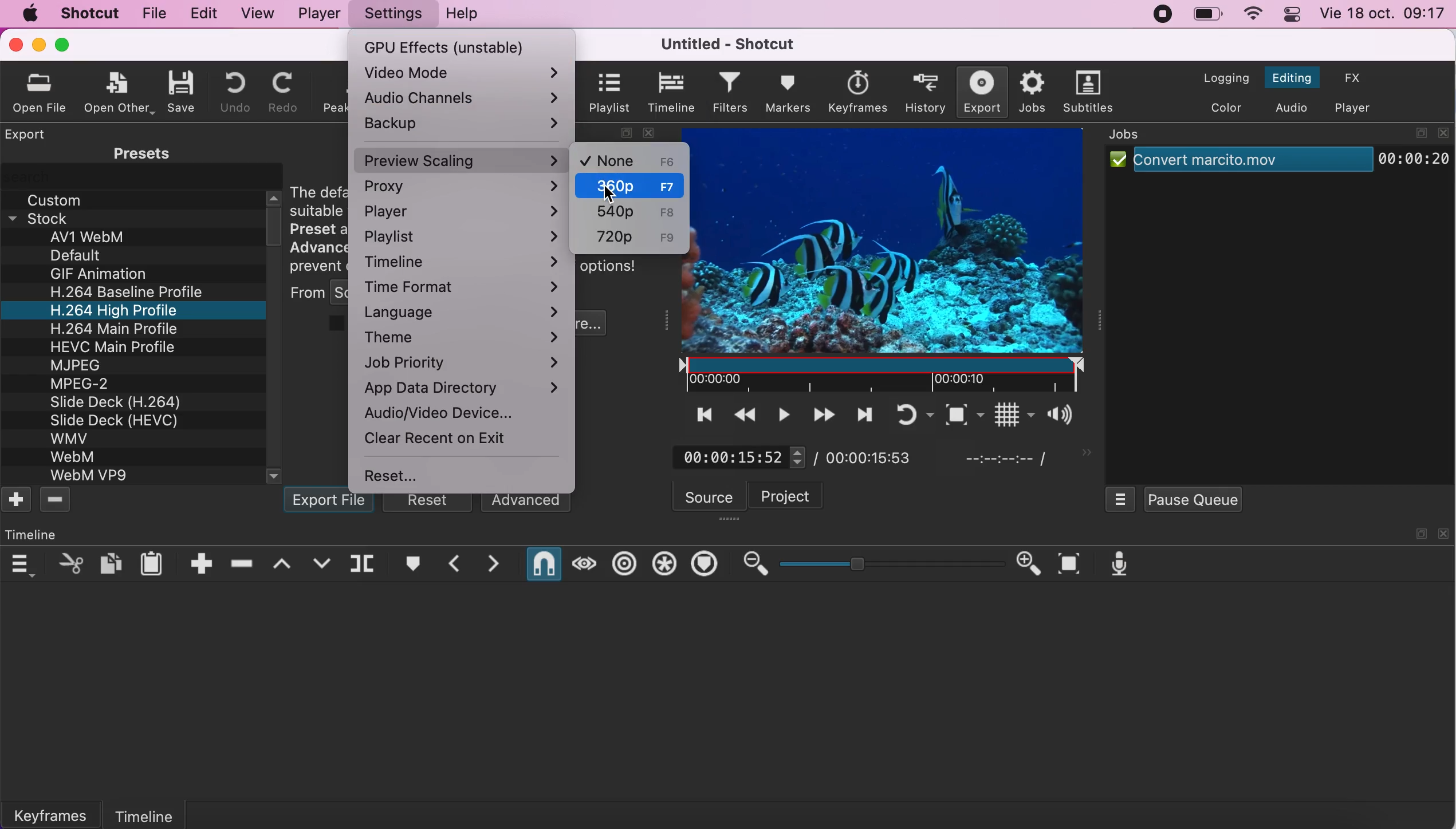 This screenshot has width=1456, height=829. I want to click on file, so click(152, 14).